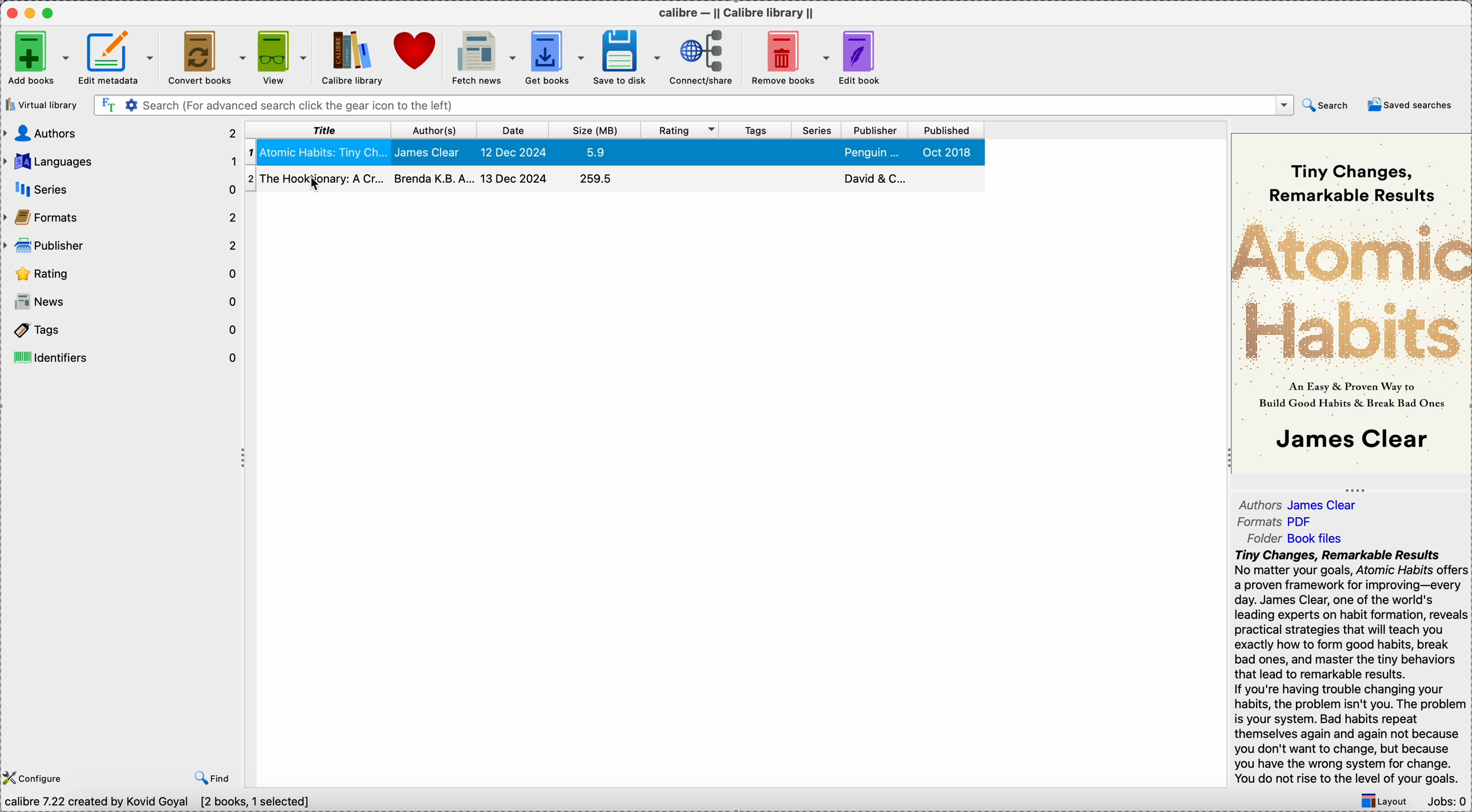  What do you see at coordinates (1352, 669) in the screenshot?
I see `book summary` at bounding box center [1352, 669].